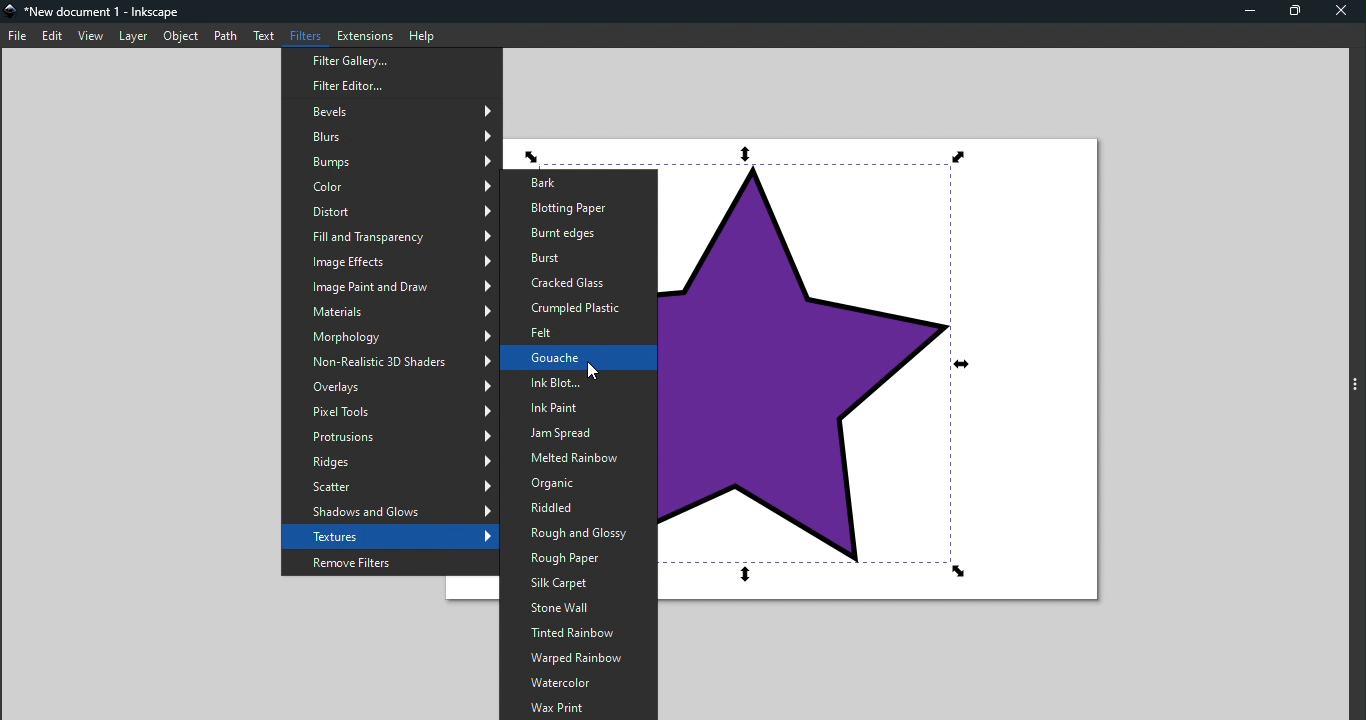 Image resolution: width=1366 pixels, height=720 pixels. I want to click on Riddled, so click(573, 510).